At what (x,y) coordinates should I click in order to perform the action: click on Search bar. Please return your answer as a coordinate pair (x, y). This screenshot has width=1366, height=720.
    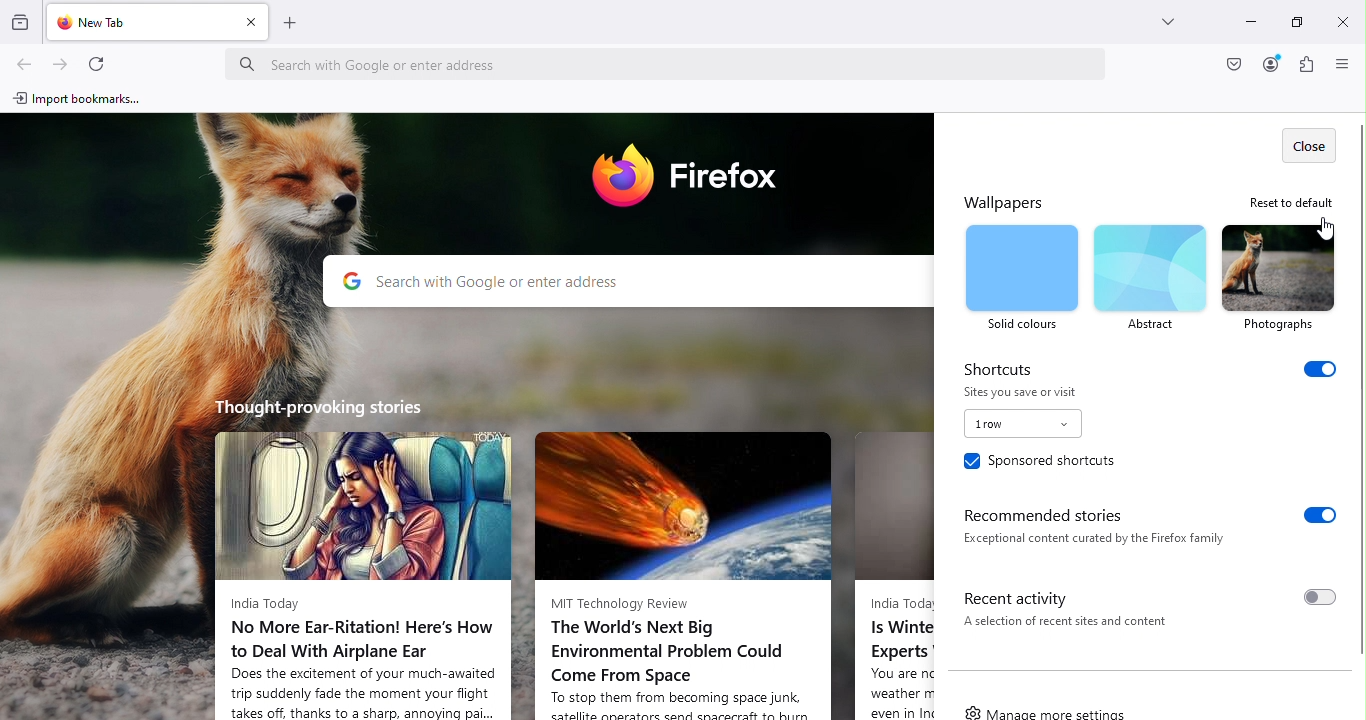
    Looking at the image, I should click on (672, 58).